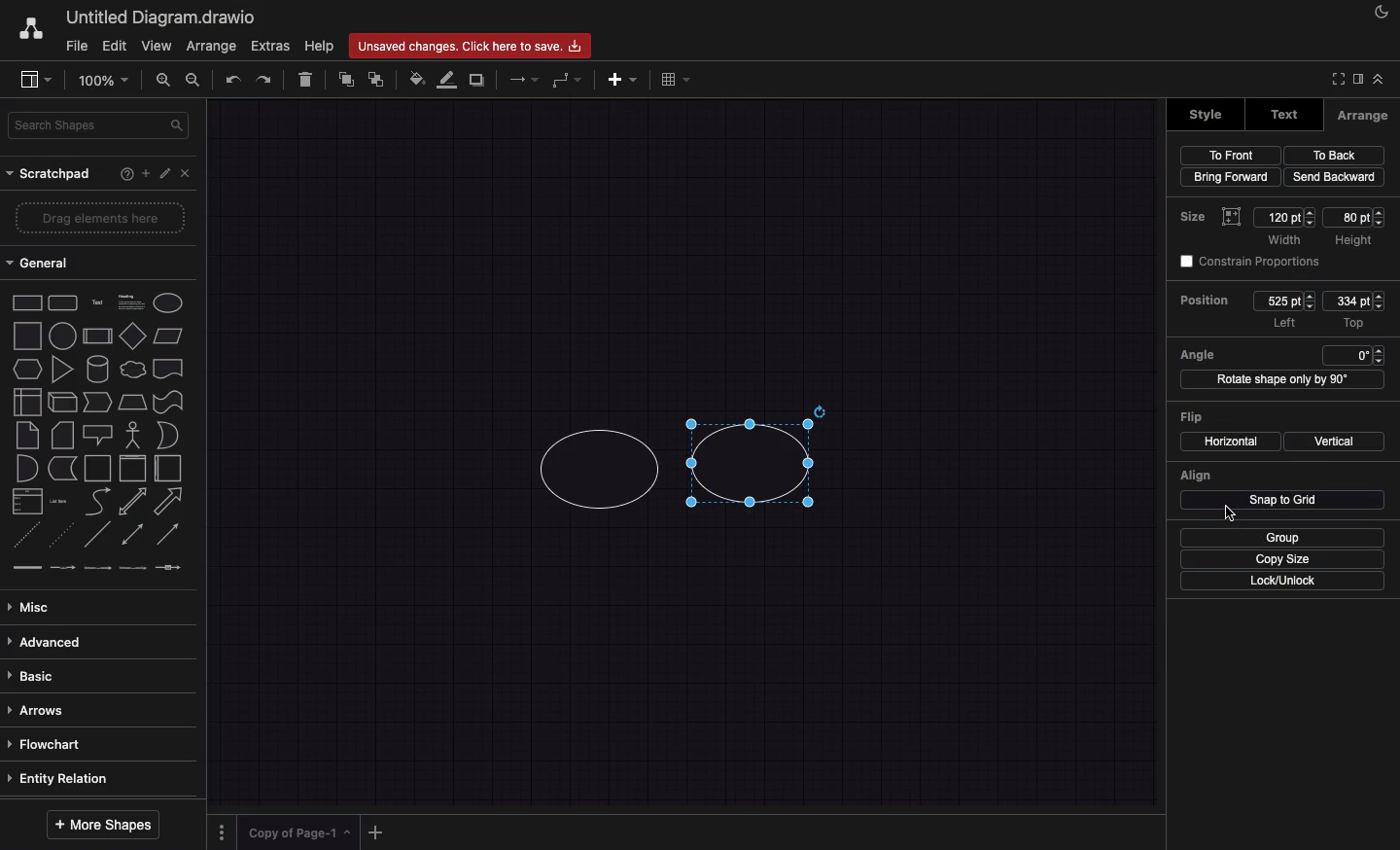 This screenshot has width=1400, height=850. Describe the element at coordinates (63, 534) in the screenshot. I see `dotted line` at that location.